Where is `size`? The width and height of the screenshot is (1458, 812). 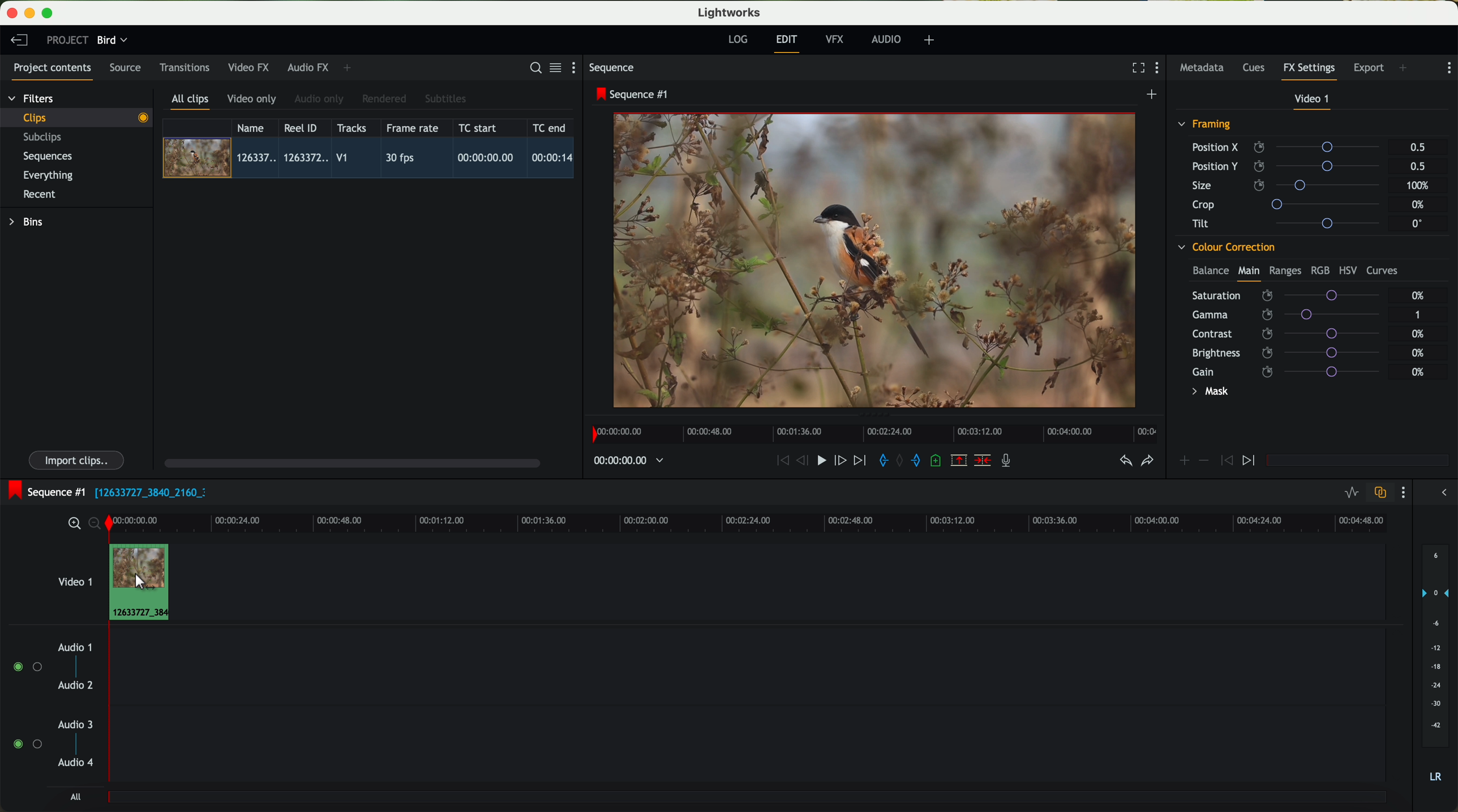
size is located at coordinates (1289, 186).